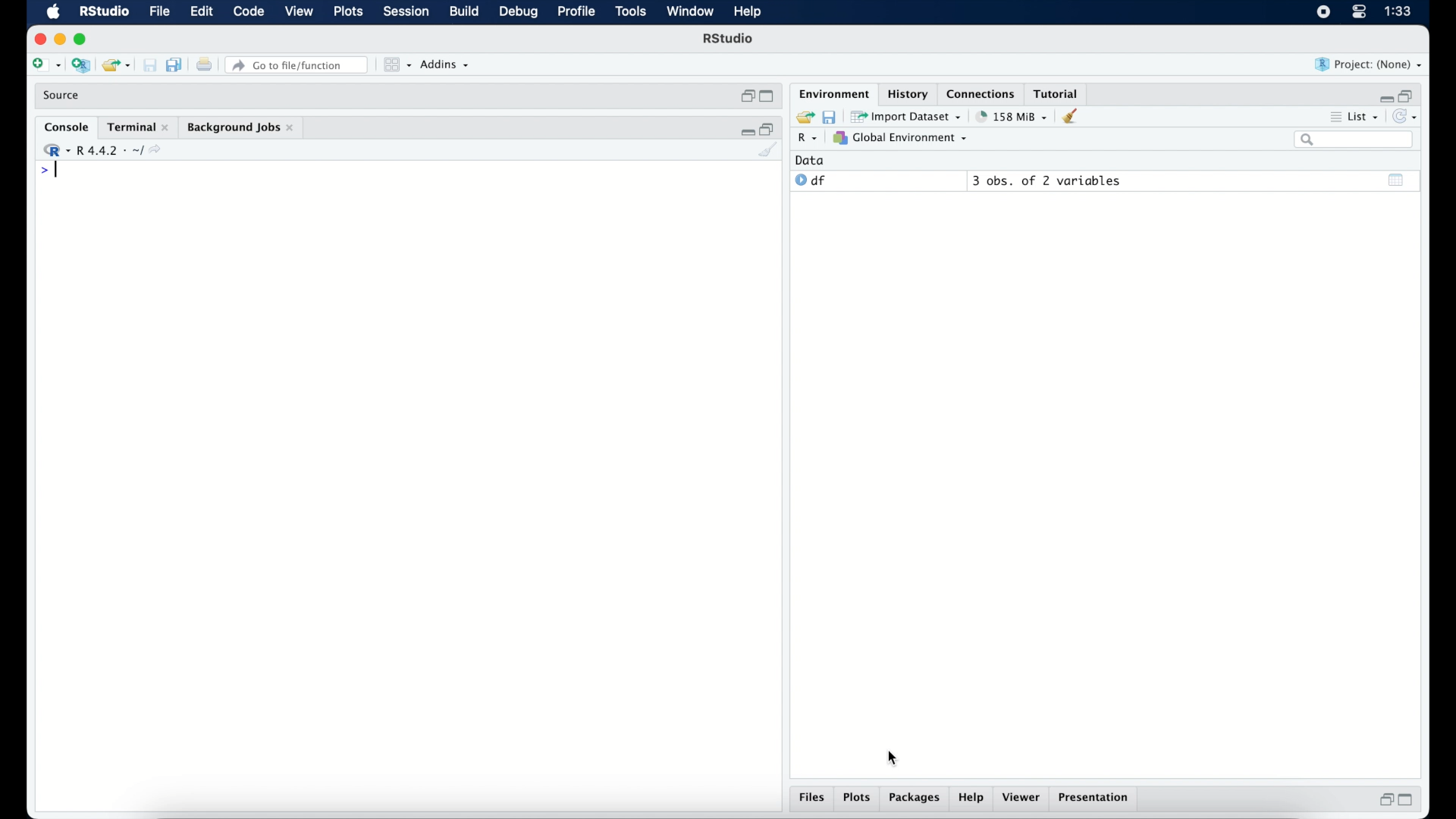 This screenshot has width=1456, height=819. I want to click on import dataset, so click(908, 117).